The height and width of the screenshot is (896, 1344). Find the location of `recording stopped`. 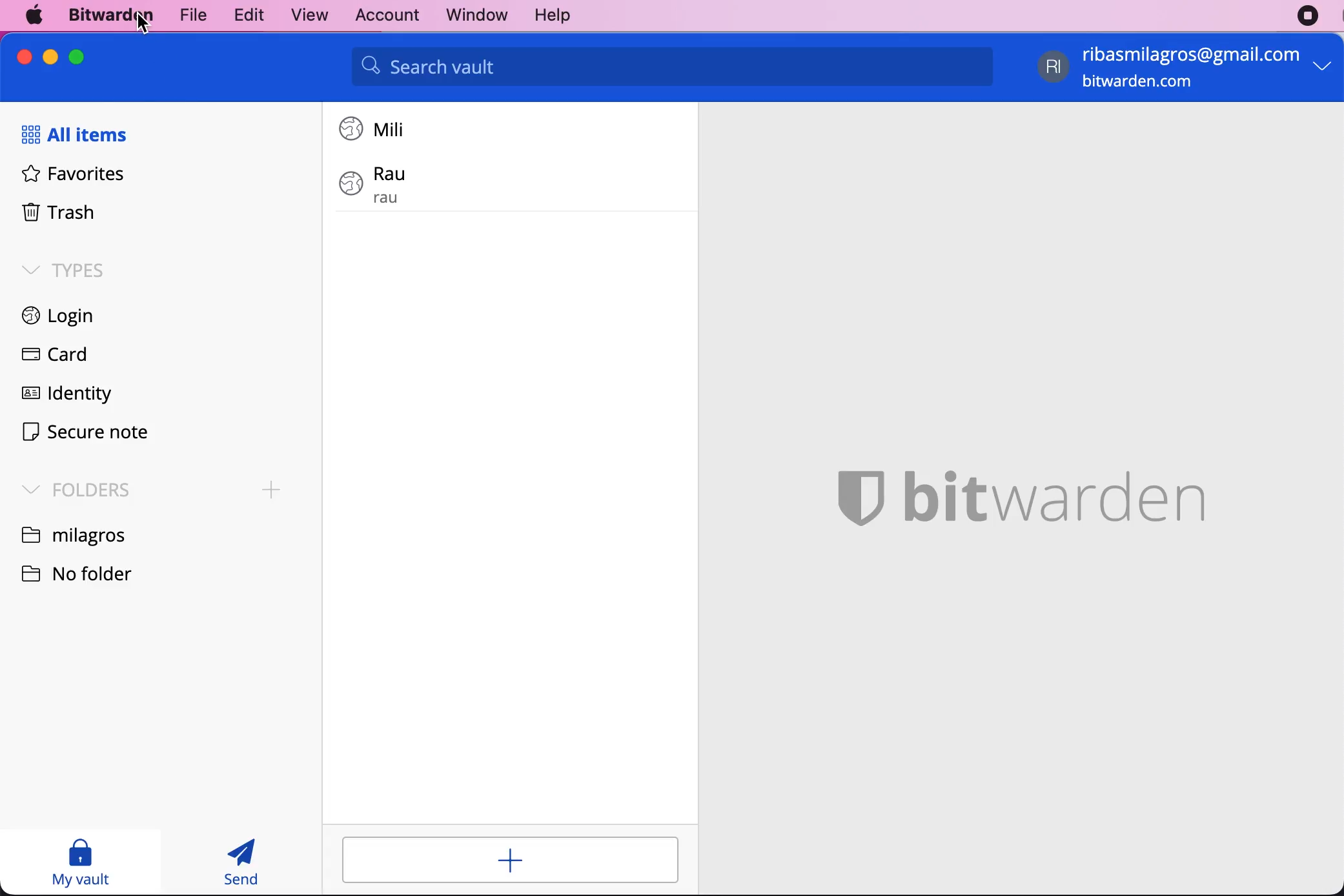

recording stopped is located at coordinates (1308, 16).